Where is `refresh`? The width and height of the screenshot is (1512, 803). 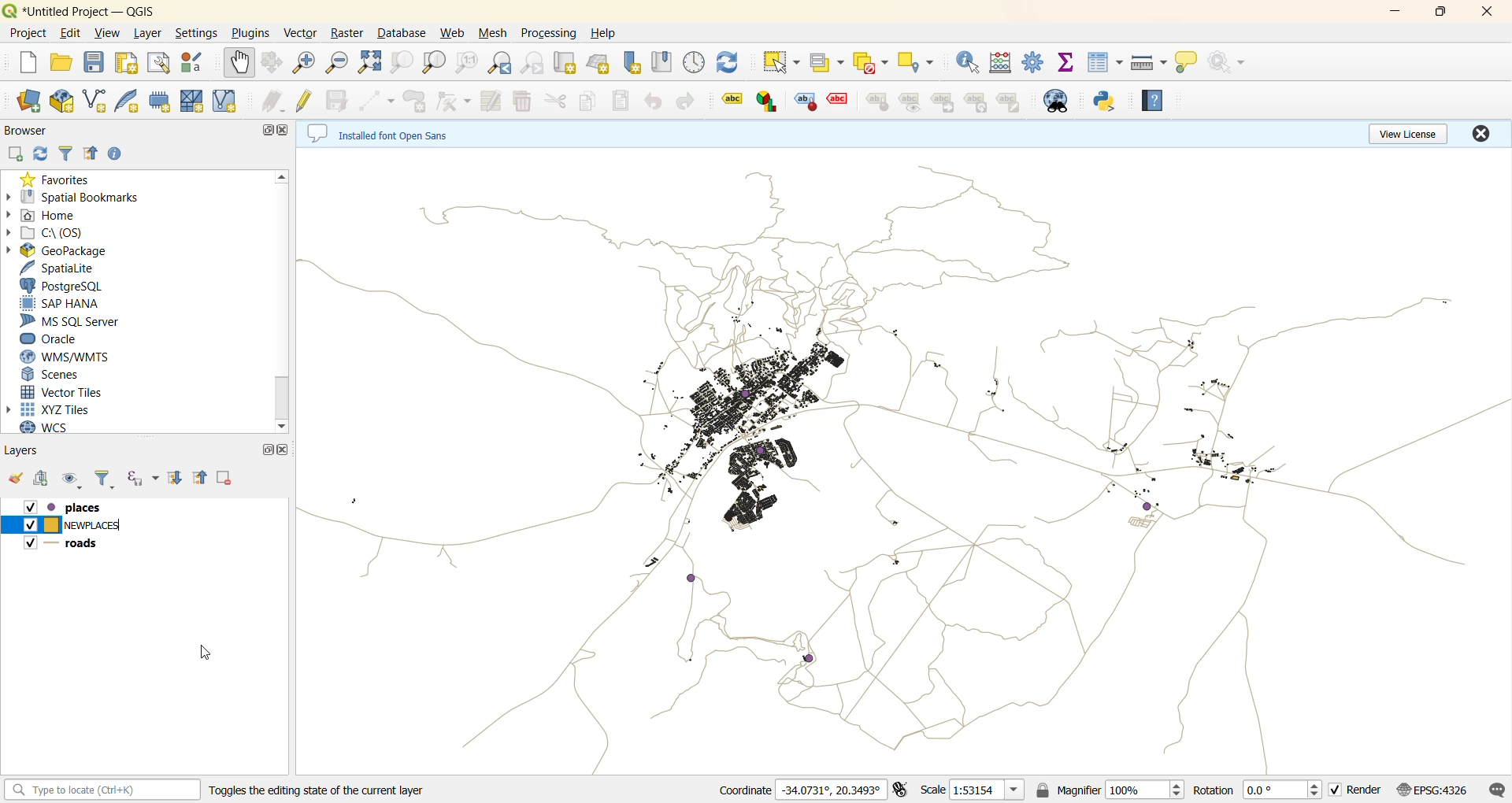
refresh is located at coordinates (730, 63).